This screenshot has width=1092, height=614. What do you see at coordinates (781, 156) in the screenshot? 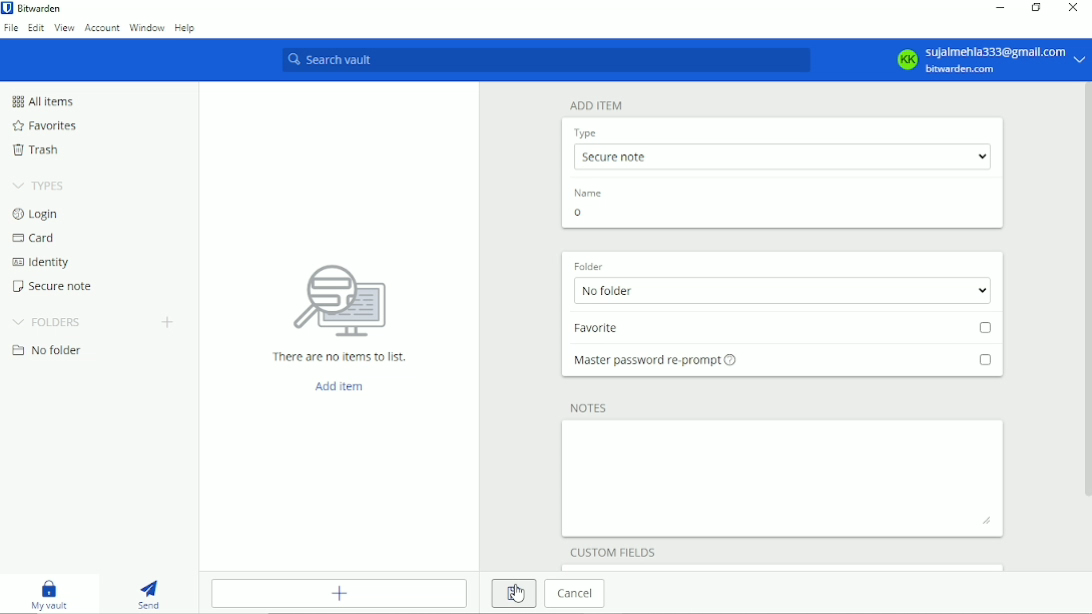
I see `Secure note` at bounding box center [781, 156].